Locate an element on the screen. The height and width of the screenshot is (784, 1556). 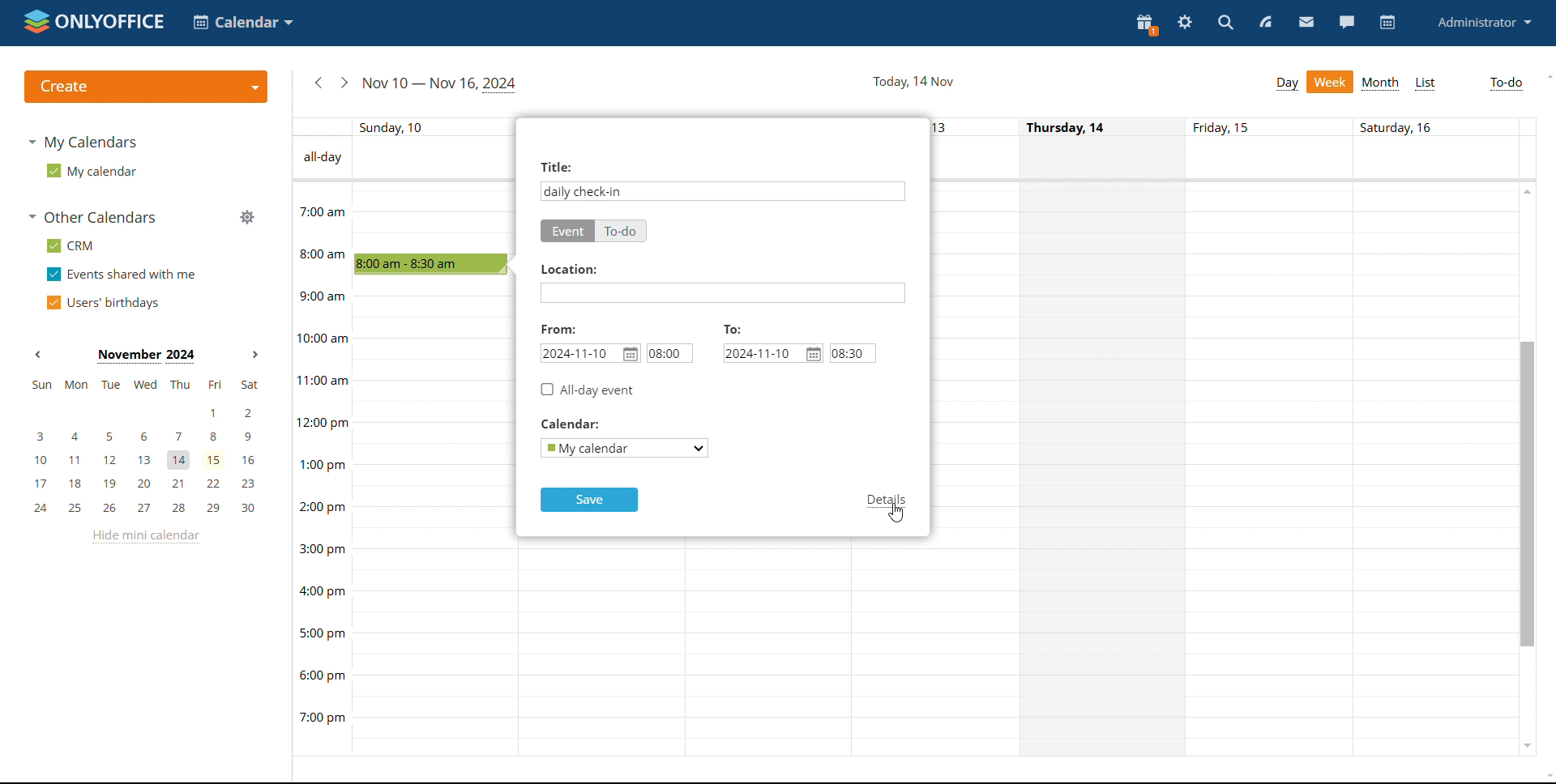
title: is located at coordinates (555, 165).